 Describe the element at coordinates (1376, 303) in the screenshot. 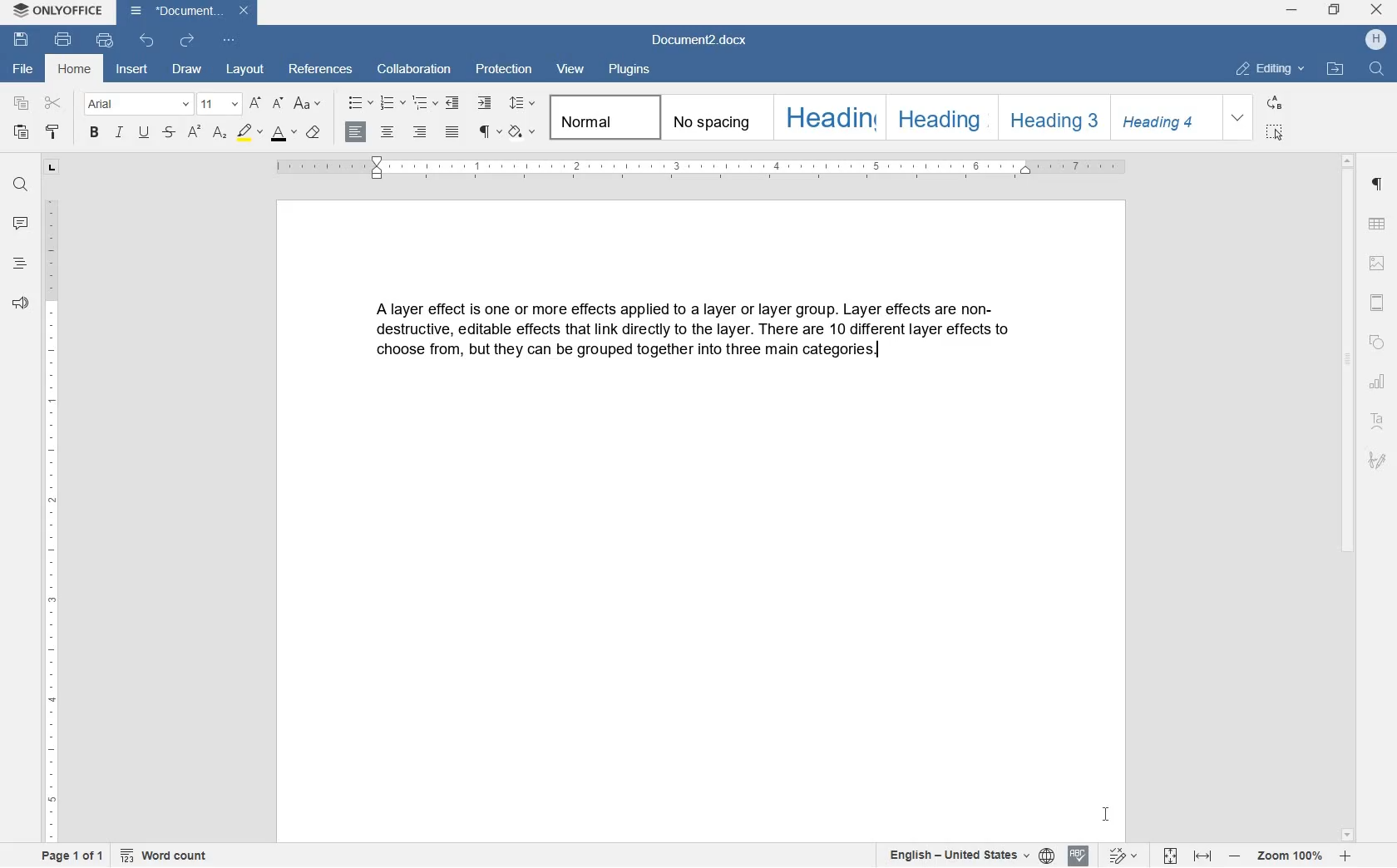

I see `headers & footers` at that location.